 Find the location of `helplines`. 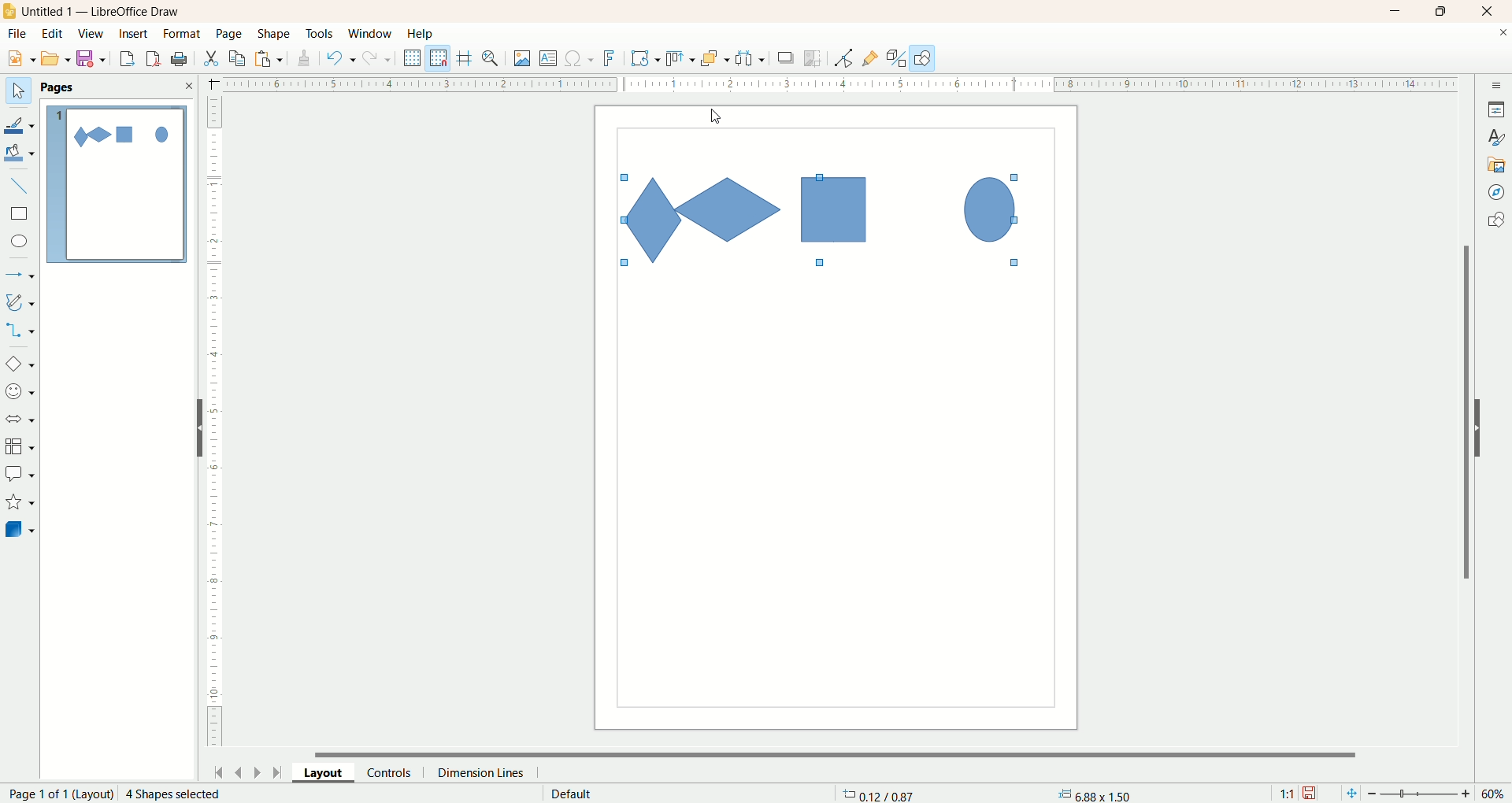

helplines is located at coordinates (467, 58).